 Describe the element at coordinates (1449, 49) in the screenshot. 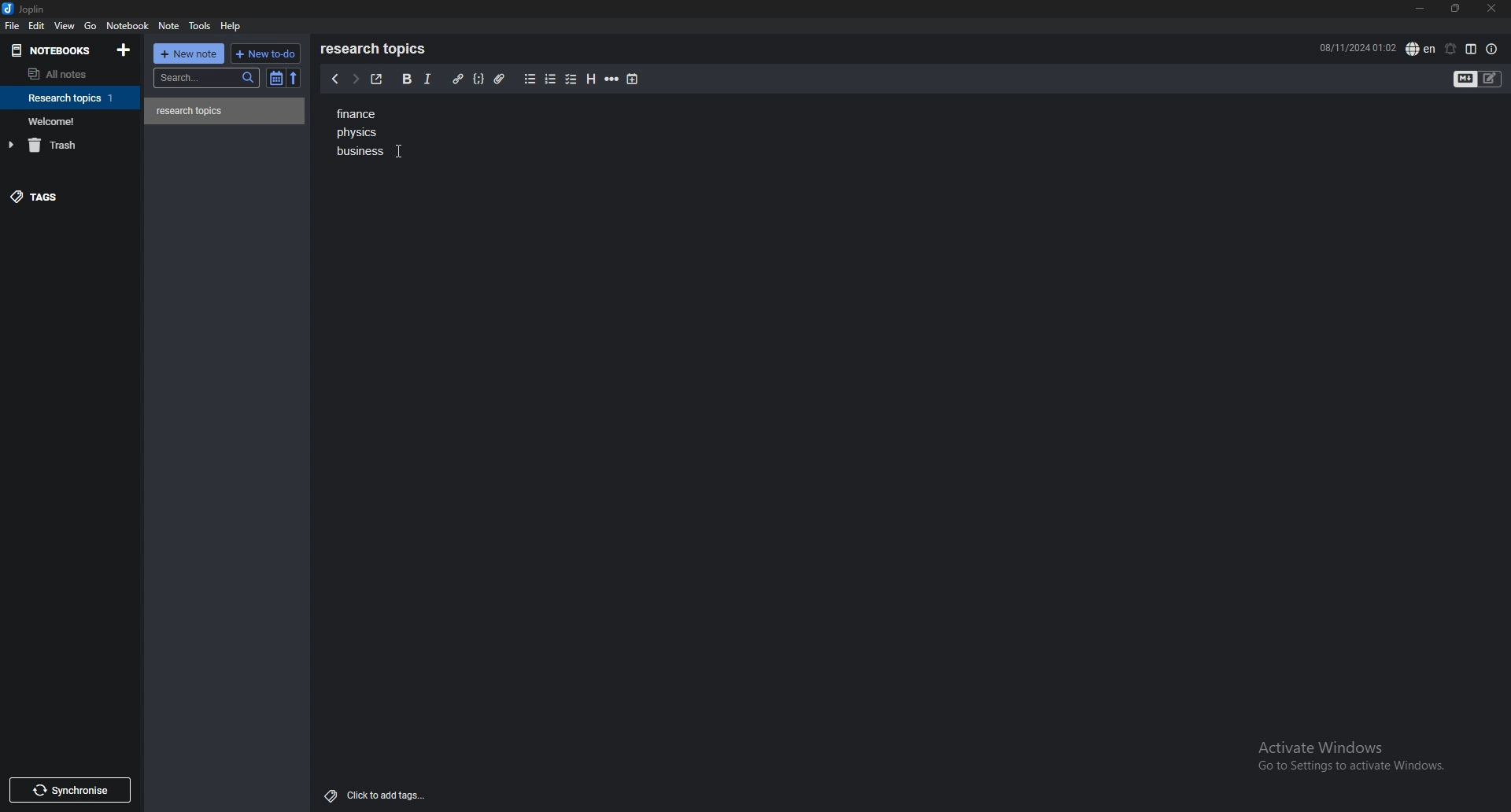

I see `set alarm` at that location.